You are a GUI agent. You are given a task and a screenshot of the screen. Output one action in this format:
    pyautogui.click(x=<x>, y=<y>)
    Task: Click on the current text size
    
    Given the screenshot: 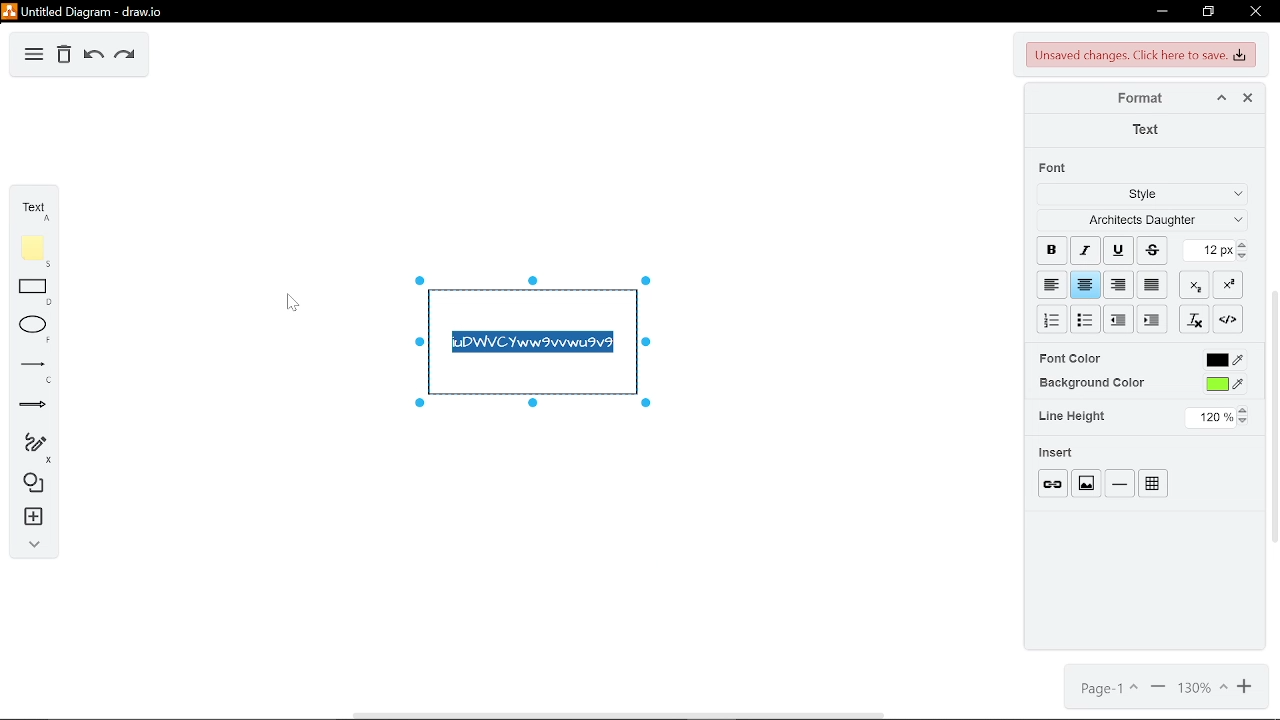 What is the action you would take?
    pyautogui.click(x=1210, y=250)
    